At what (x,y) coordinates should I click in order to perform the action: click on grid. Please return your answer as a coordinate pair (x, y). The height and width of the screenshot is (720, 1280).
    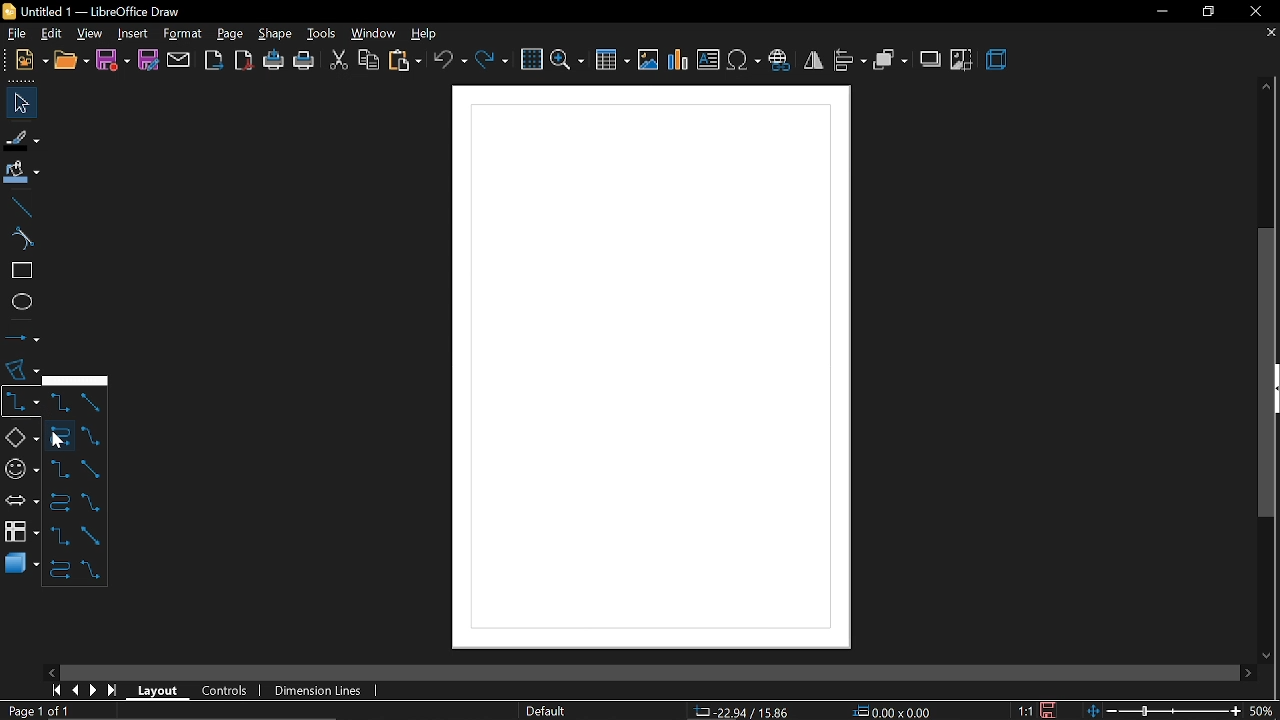
    Looking at the image, I should click on (530, 59).